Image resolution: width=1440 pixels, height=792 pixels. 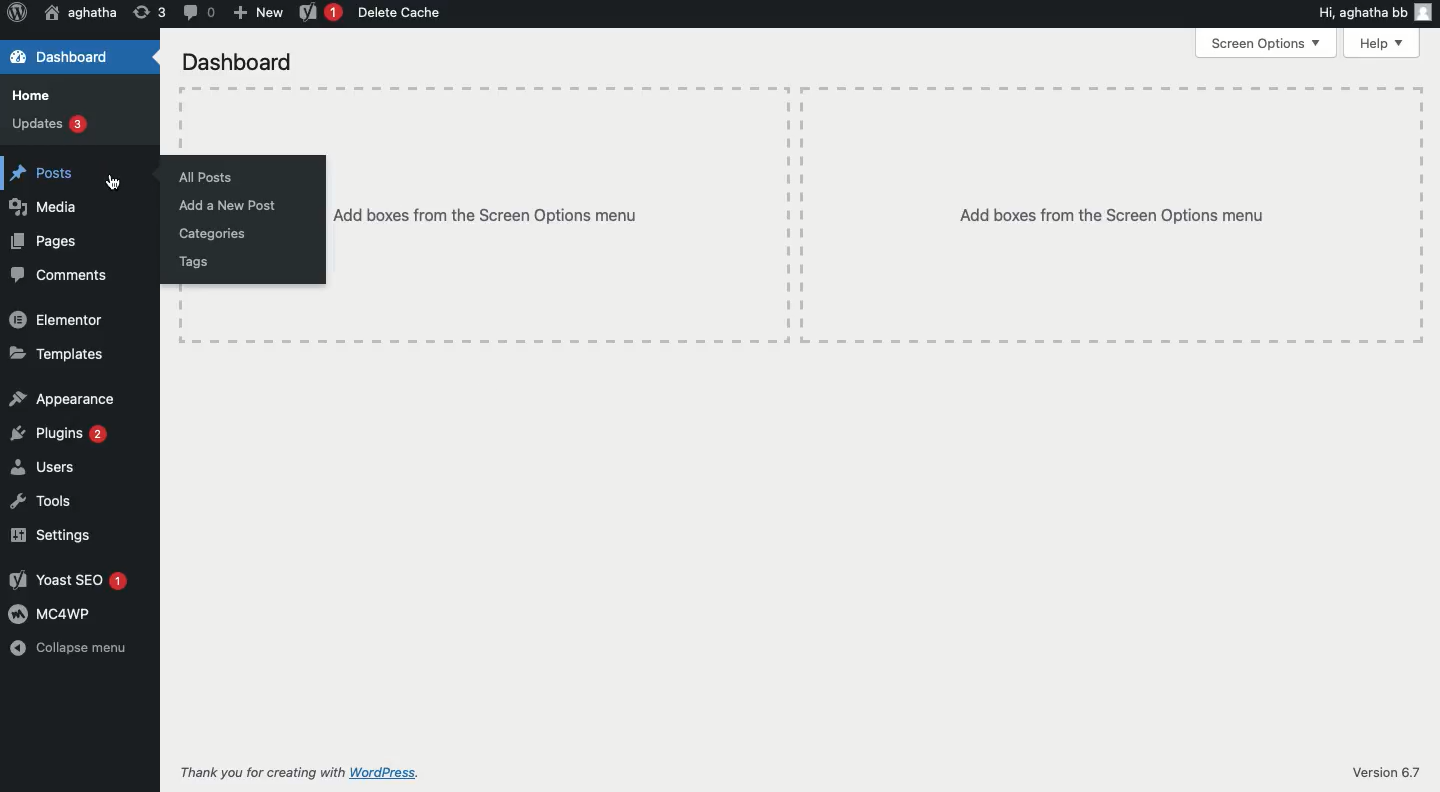 I want to click on Cursor, so click(x=118, y=184).